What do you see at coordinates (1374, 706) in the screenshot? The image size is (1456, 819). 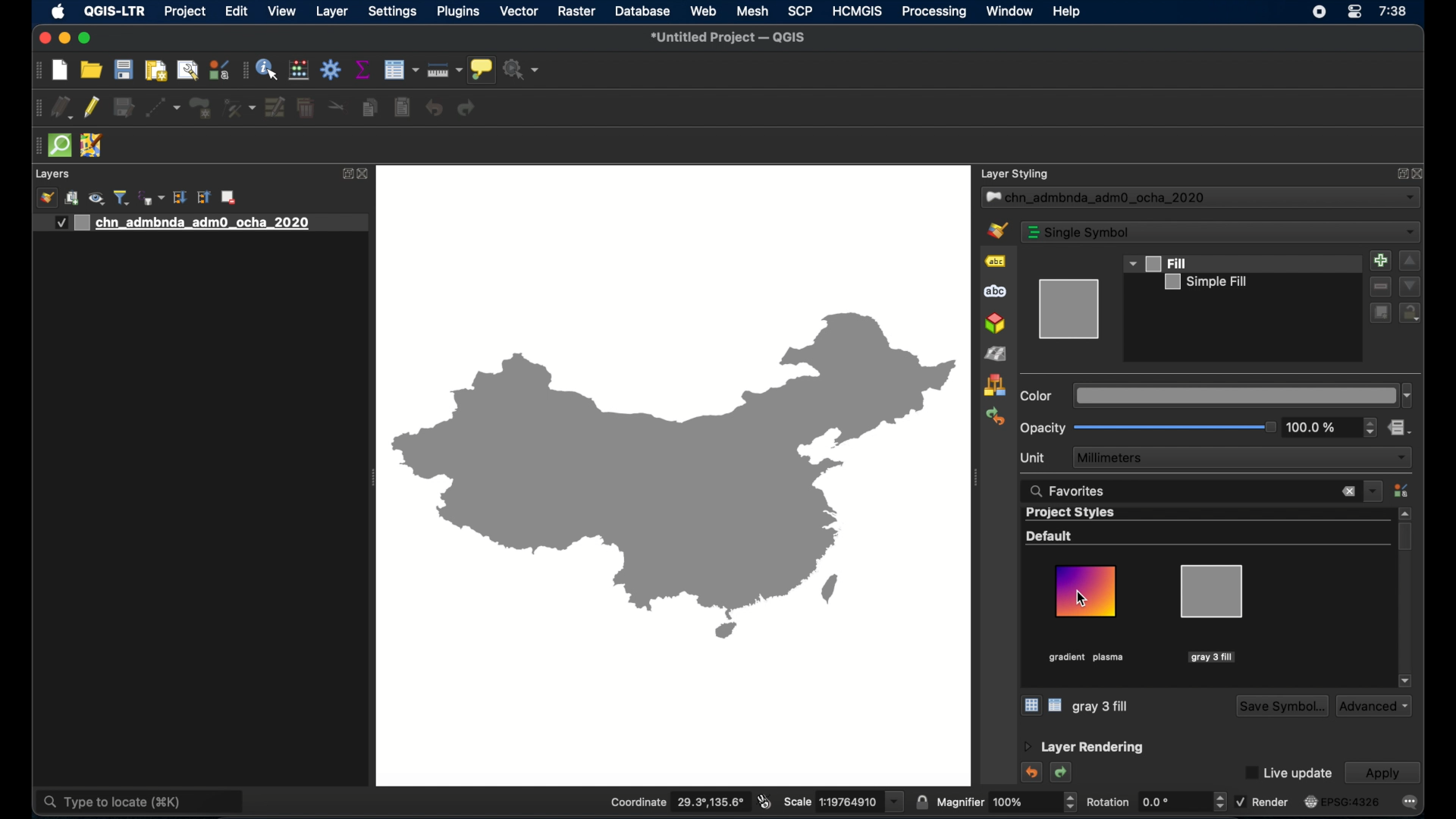 I see `advanced ` at bounding box center [1374, 706].